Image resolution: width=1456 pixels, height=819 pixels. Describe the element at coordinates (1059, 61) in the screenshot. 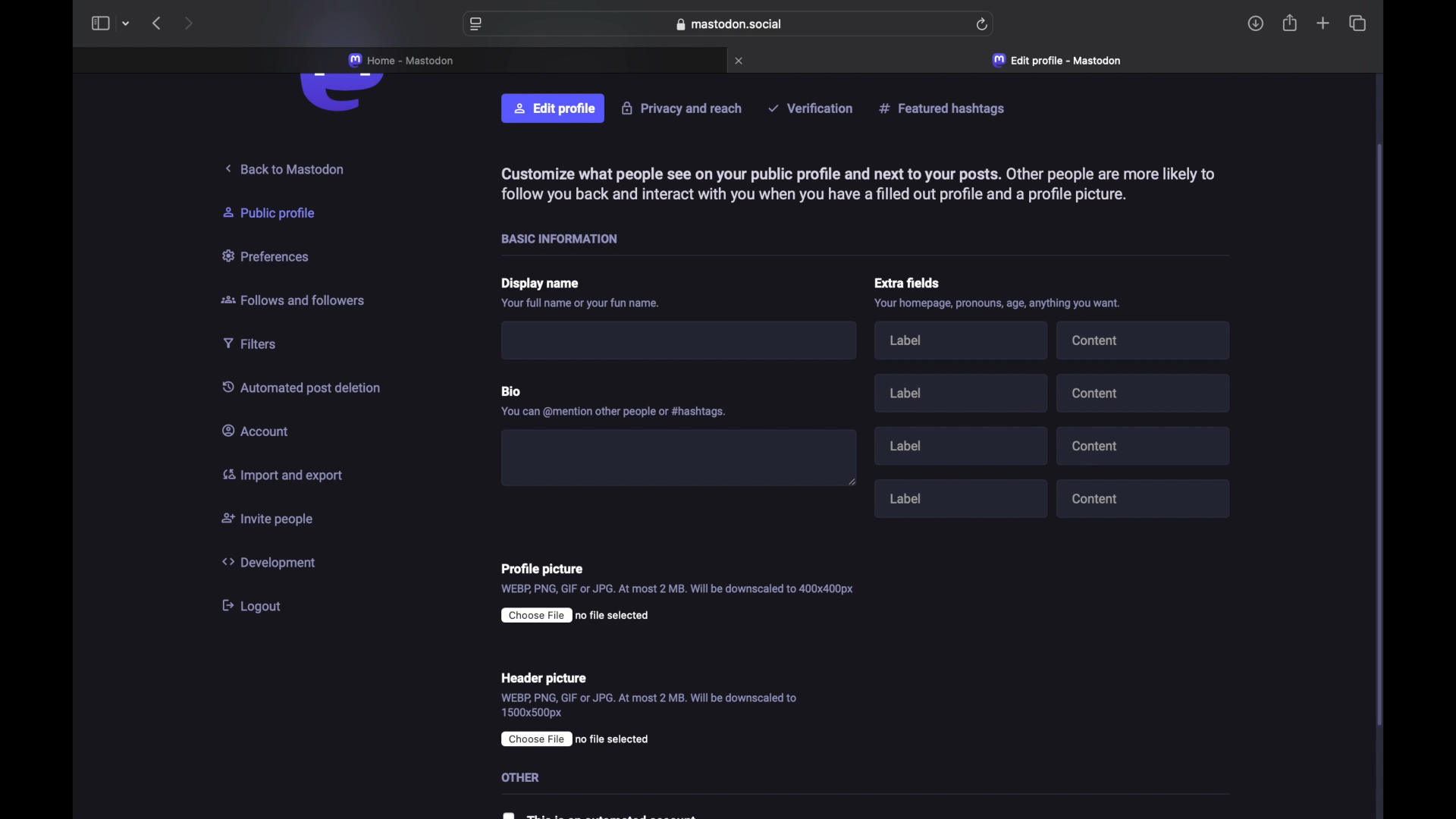

I see `edit profile - mastodon` at that location.